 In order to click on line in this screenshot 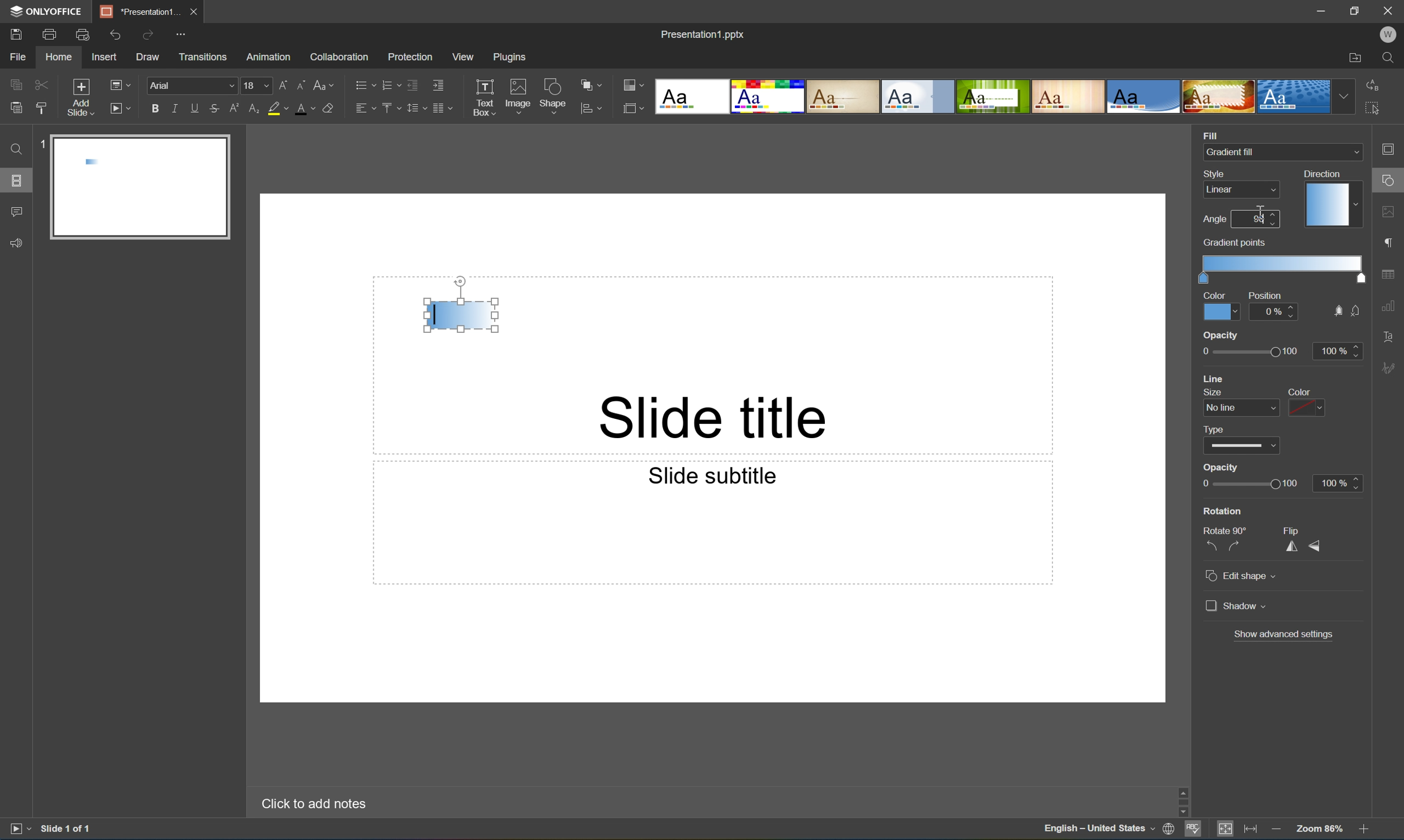, I will do `click(1217, 378)`.